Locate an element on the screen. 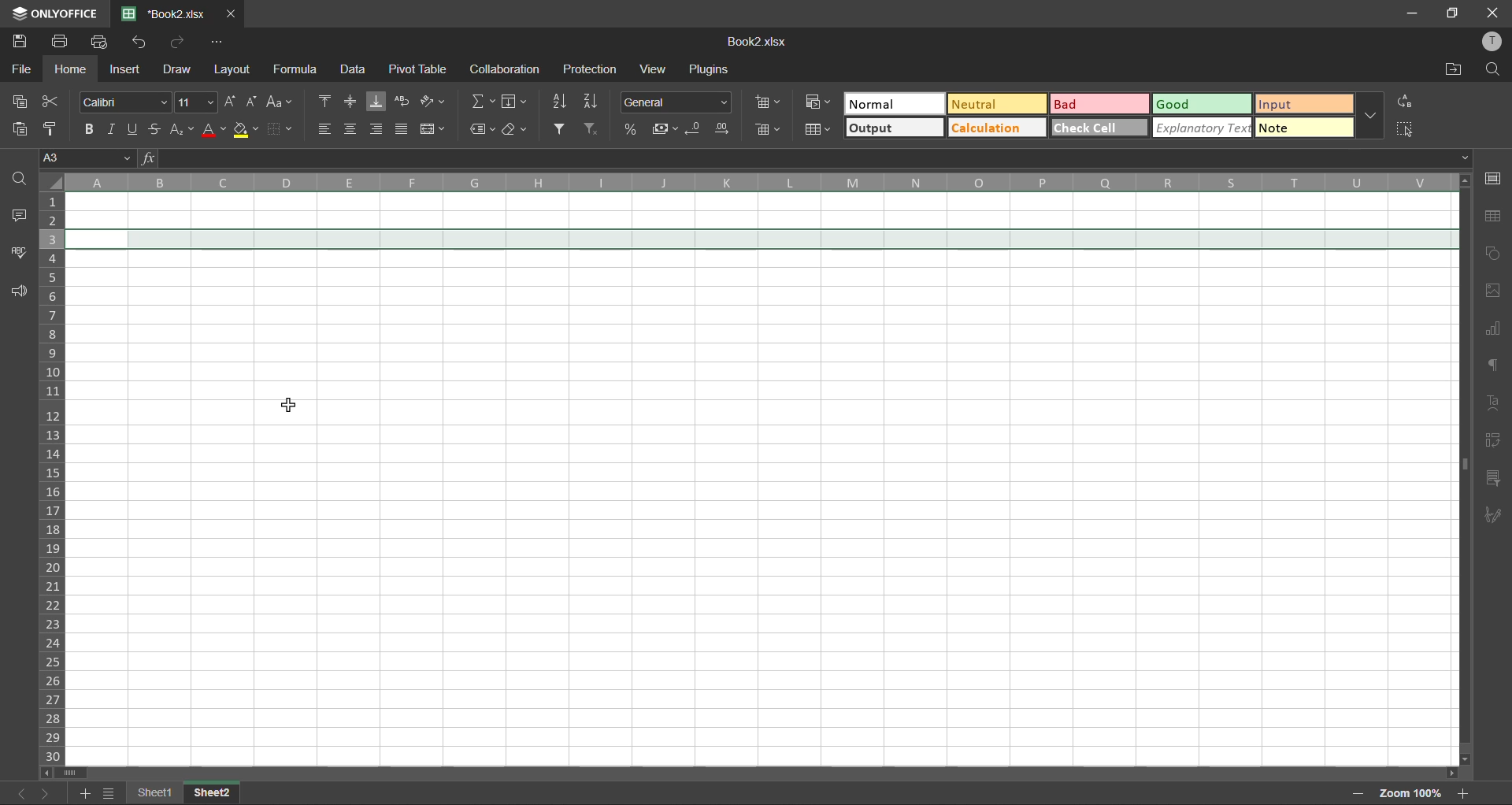  summation is located at coordinates (482, 101).